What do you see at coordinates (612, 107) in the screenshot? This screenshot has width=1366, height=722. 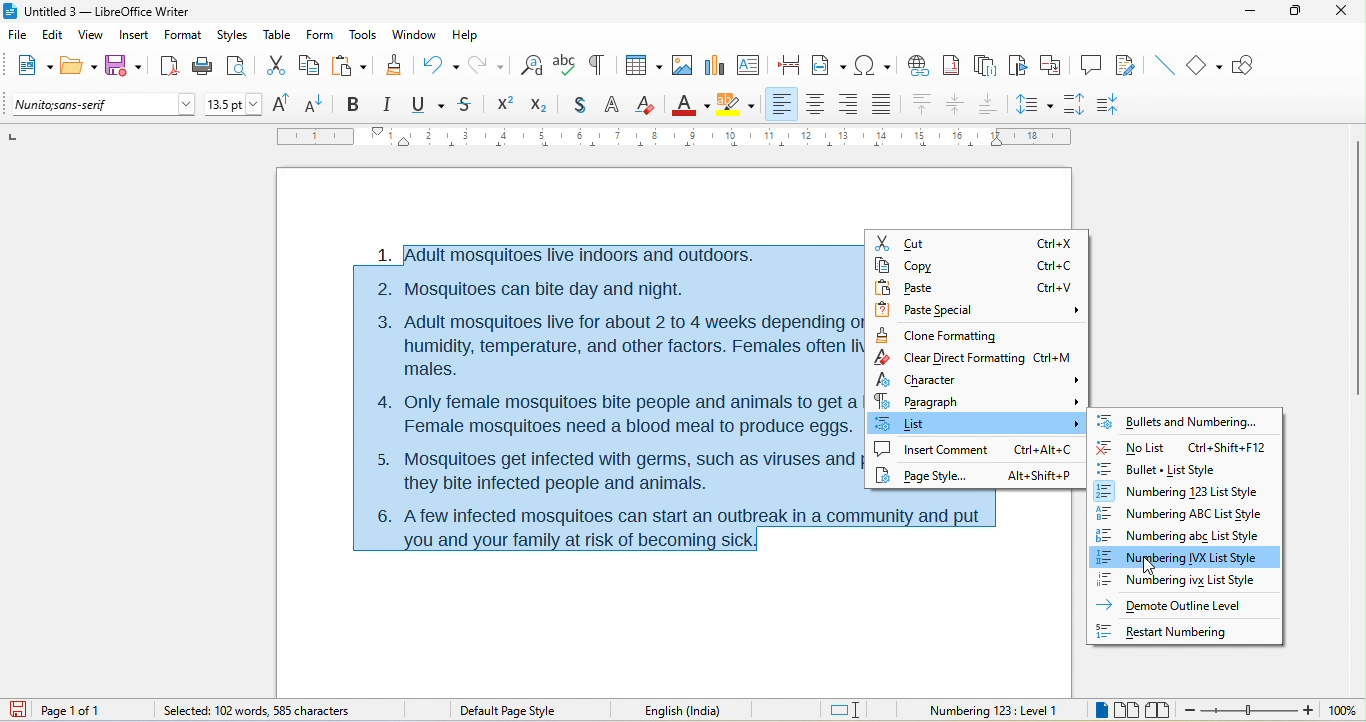 I see `outline font effect` at bounding box center [612, 107].